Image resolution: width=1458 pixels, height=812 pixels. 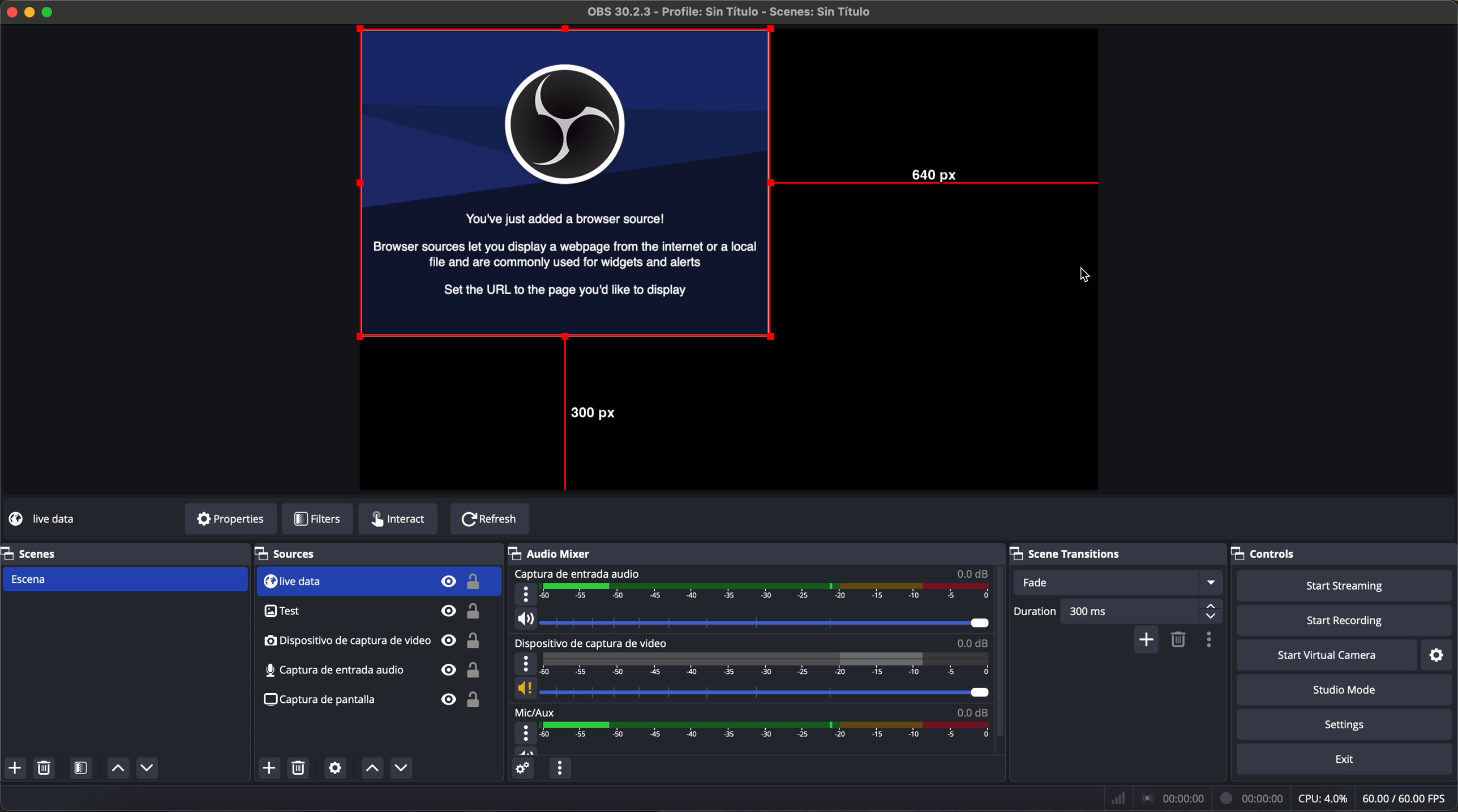 What do you see at coordinates (1070, 553) in the screenshot?
I see `scene transitions` at bounding box center [1070, 553].